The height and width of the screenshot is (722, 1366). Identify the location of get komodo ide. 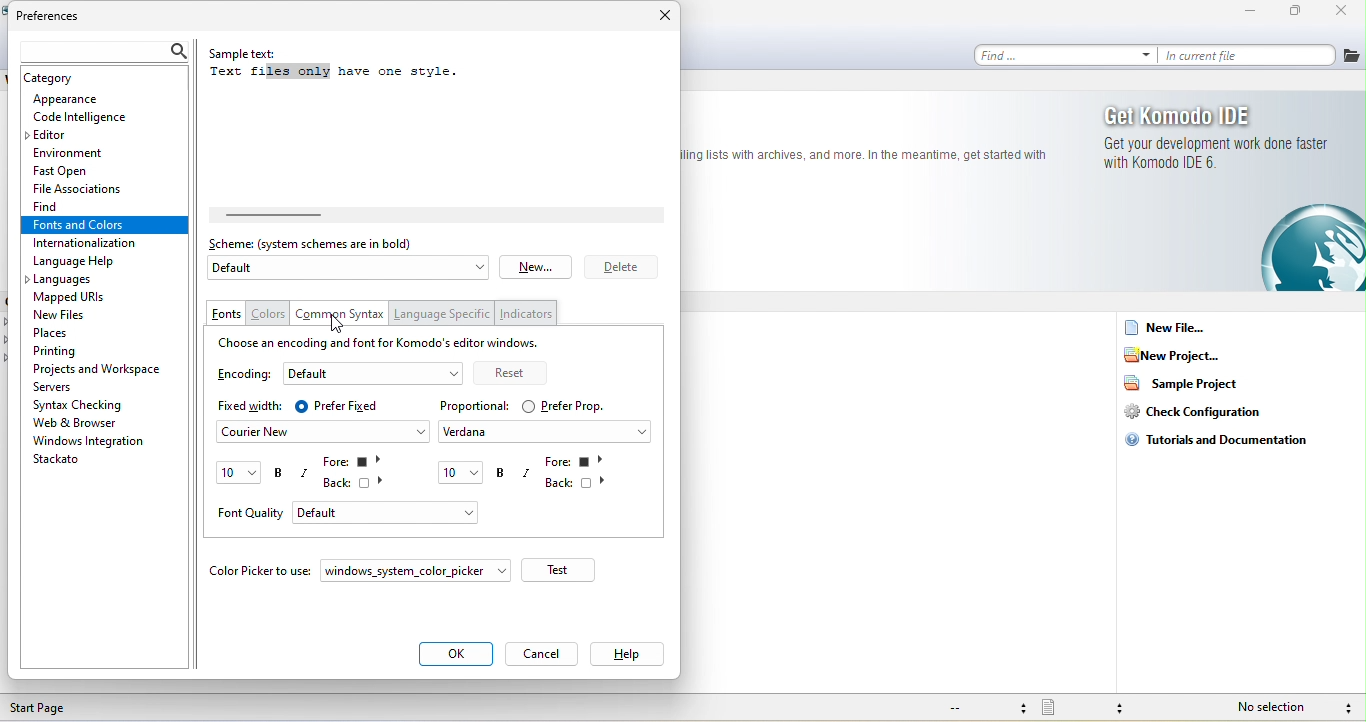
(1229, 195).